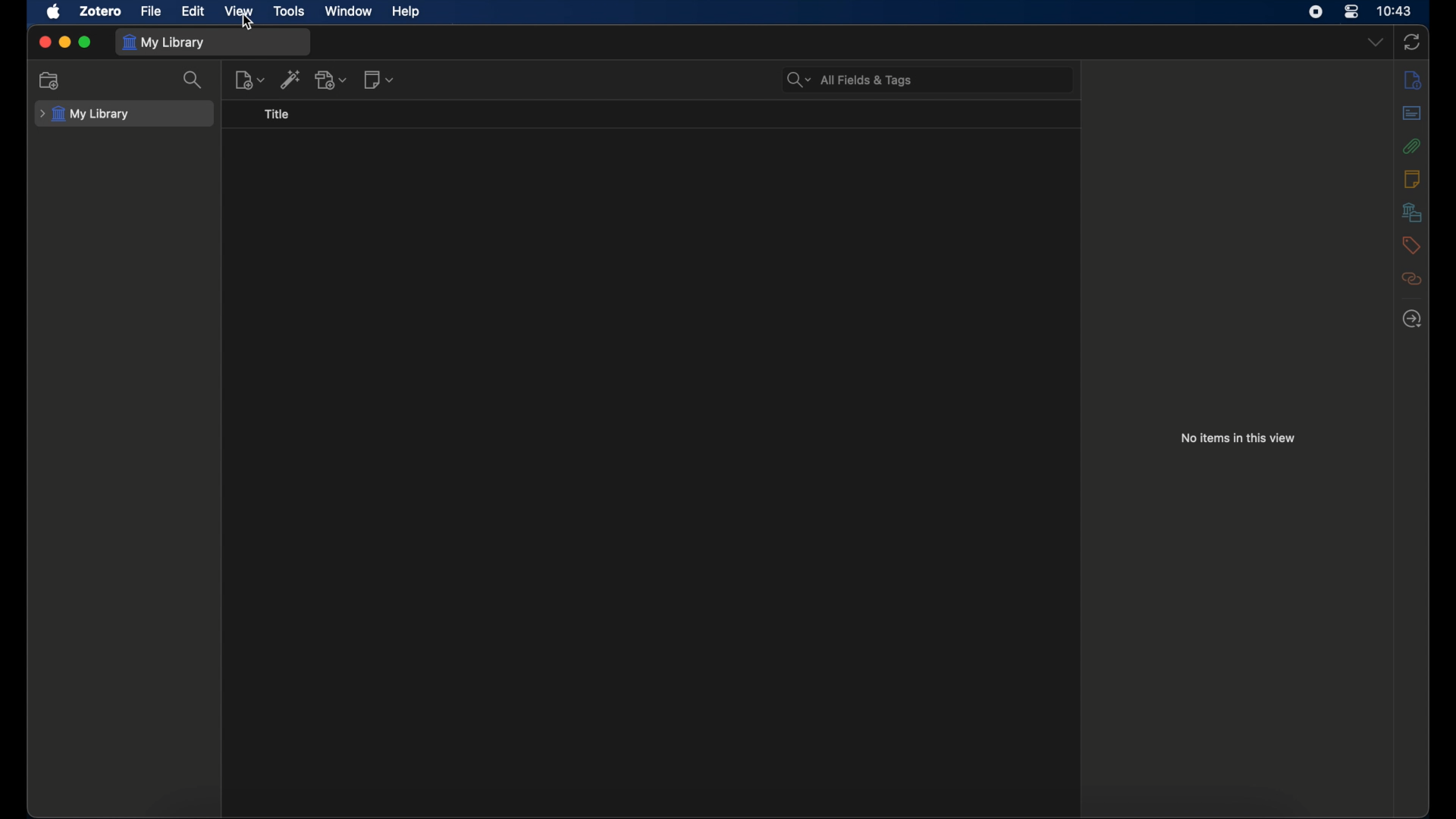 The width and height of the screenshot is (1456, 819). I want to click on locate, so click(1412, 319).